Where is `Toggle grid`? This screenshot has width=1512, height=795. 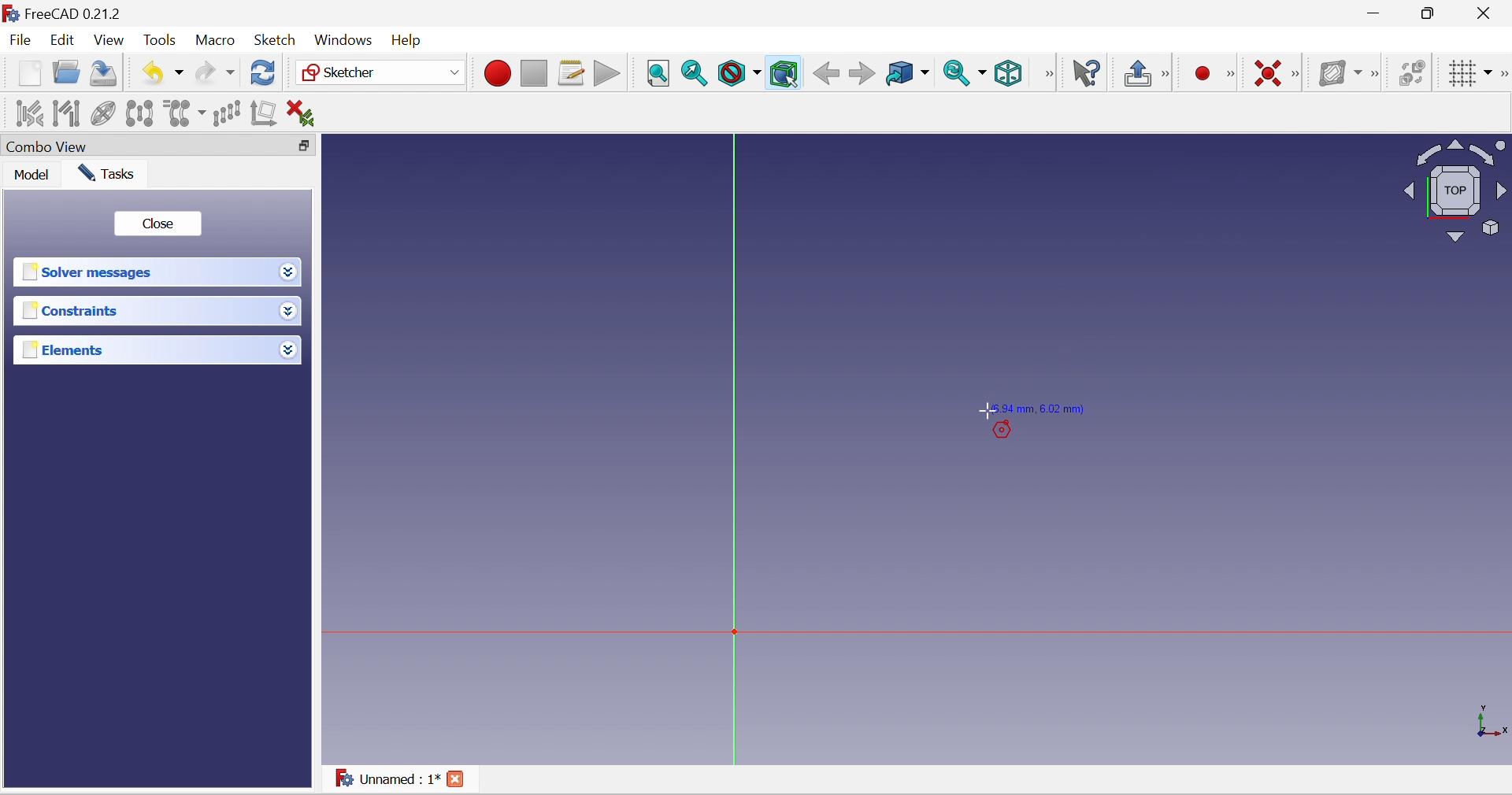
Toggle grid is located at coordinates (1470, 73).